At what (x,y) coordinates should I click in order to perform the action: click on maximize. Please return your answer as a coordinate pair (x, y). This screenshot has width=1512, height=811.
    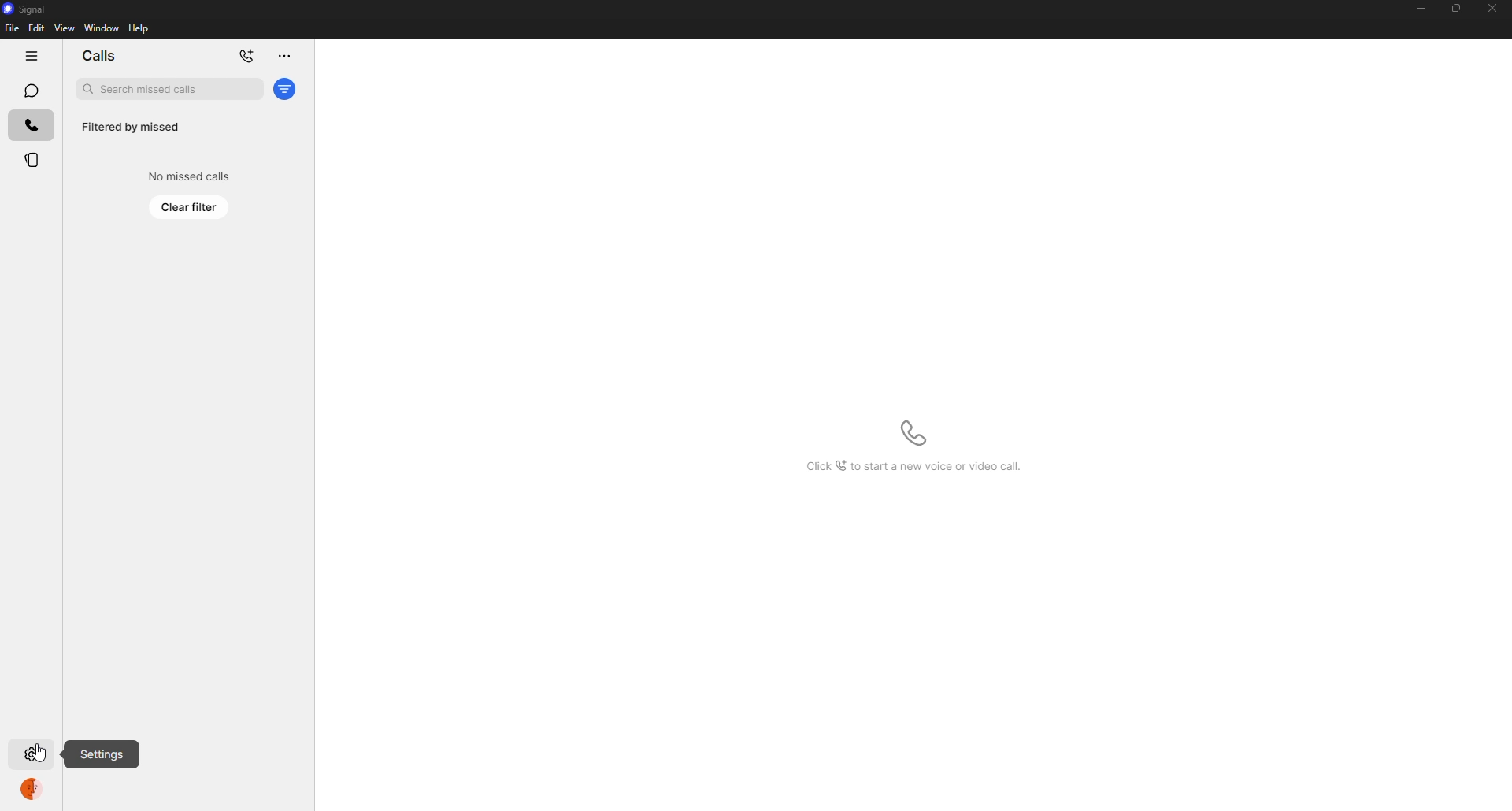
    Looking at the image, I should click on (1451, 8).